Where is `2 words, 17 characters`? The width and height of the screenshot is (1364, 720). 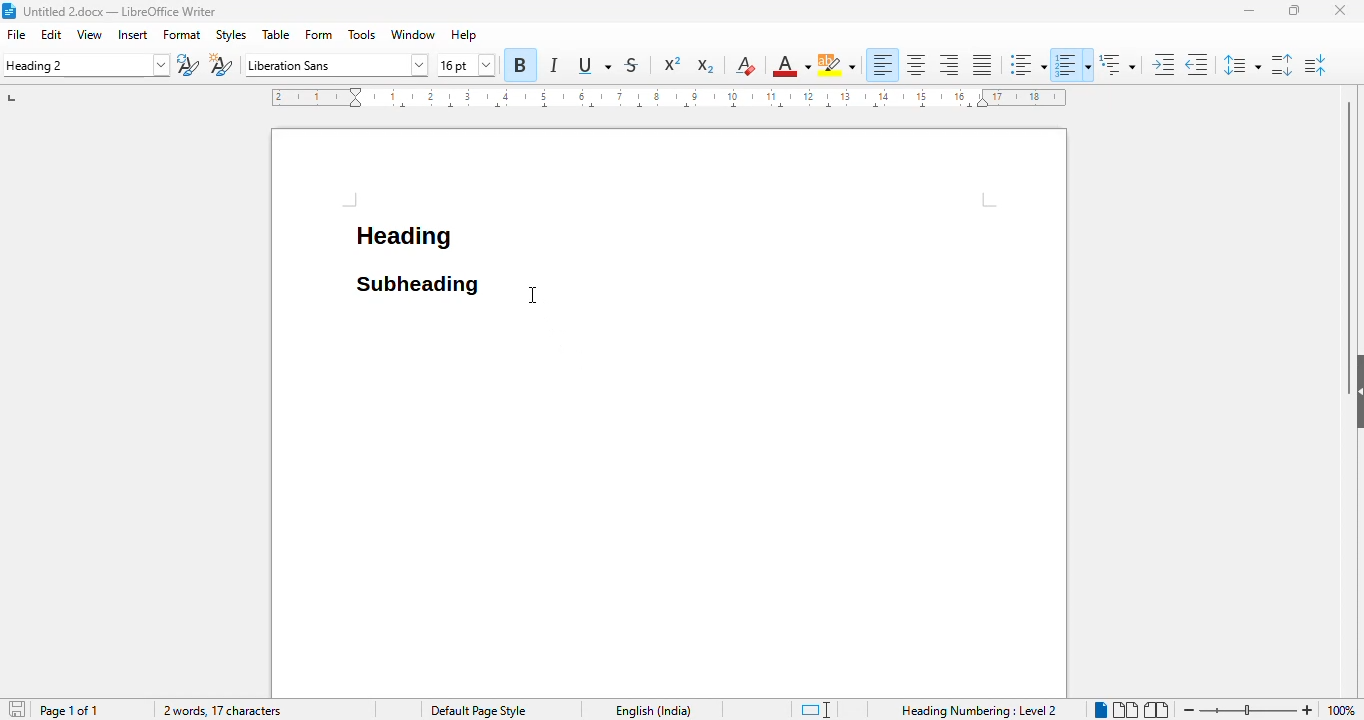
2 words, 17 characters is located at coordinates (223, 711).